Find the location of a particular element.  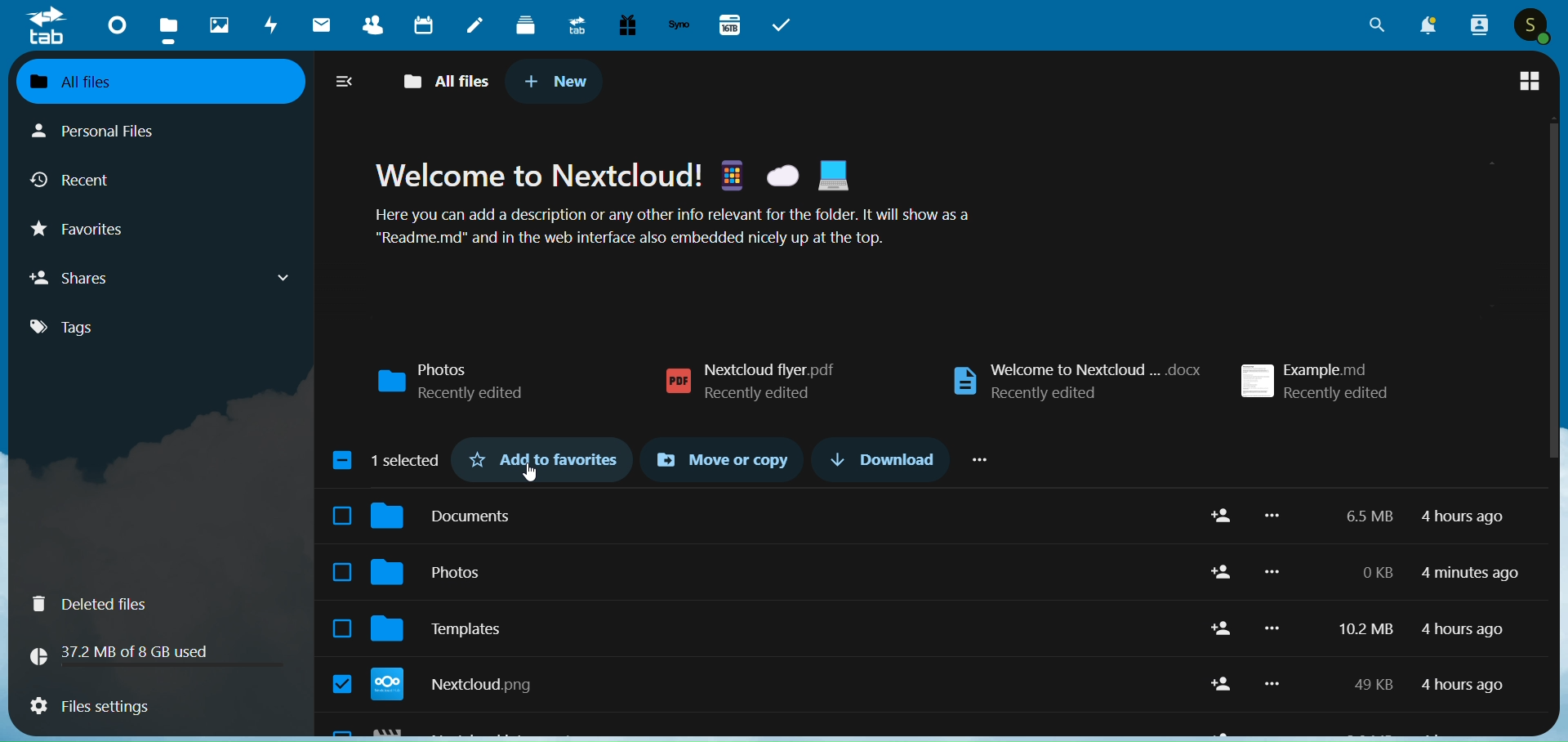

Smartphone emoji is located at coordinates (731, 174).